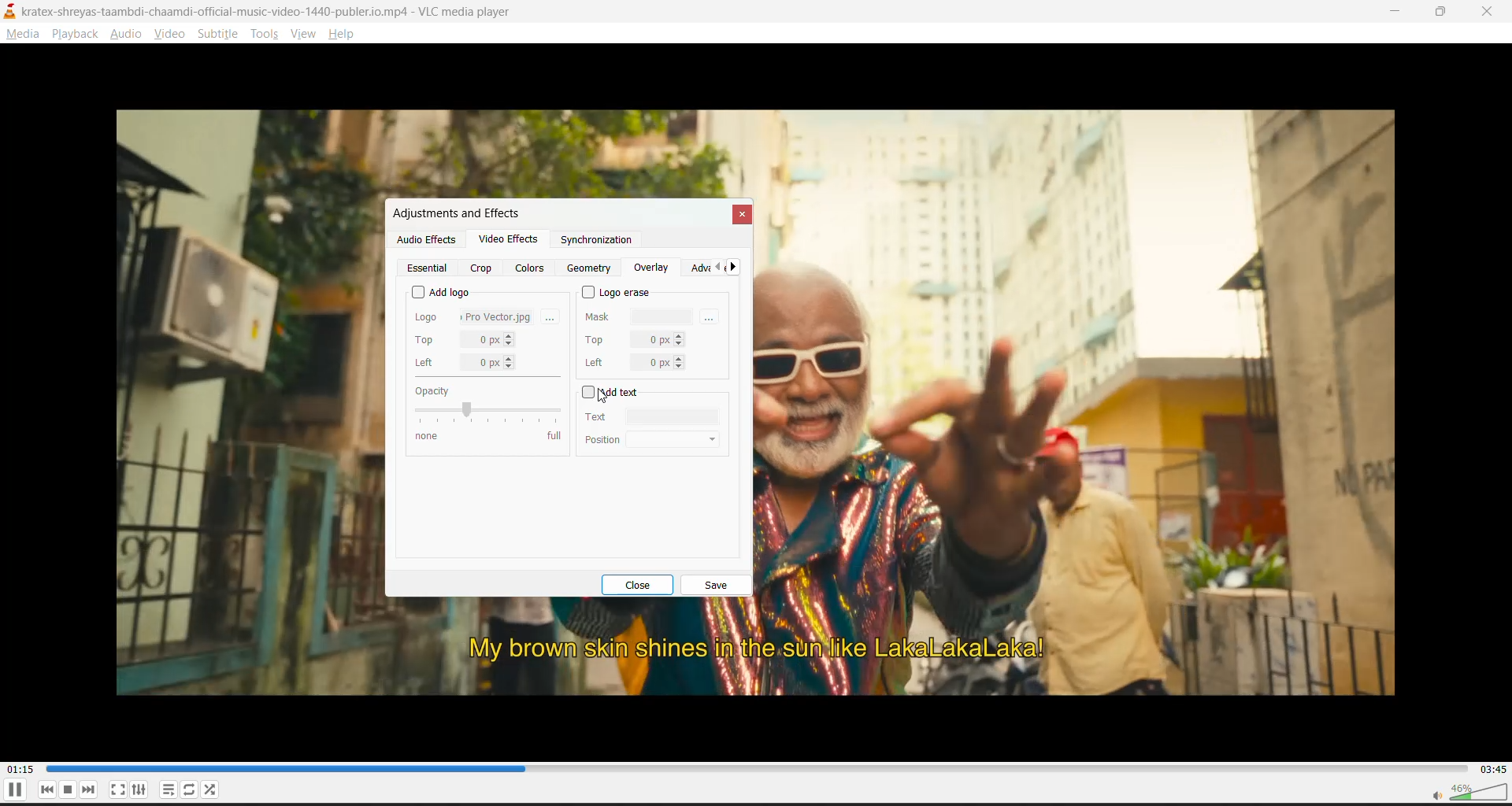  What do you see at coordinates (618, 292) in the screenshot?
I see `logo erase` at bounding box center [618, 292].